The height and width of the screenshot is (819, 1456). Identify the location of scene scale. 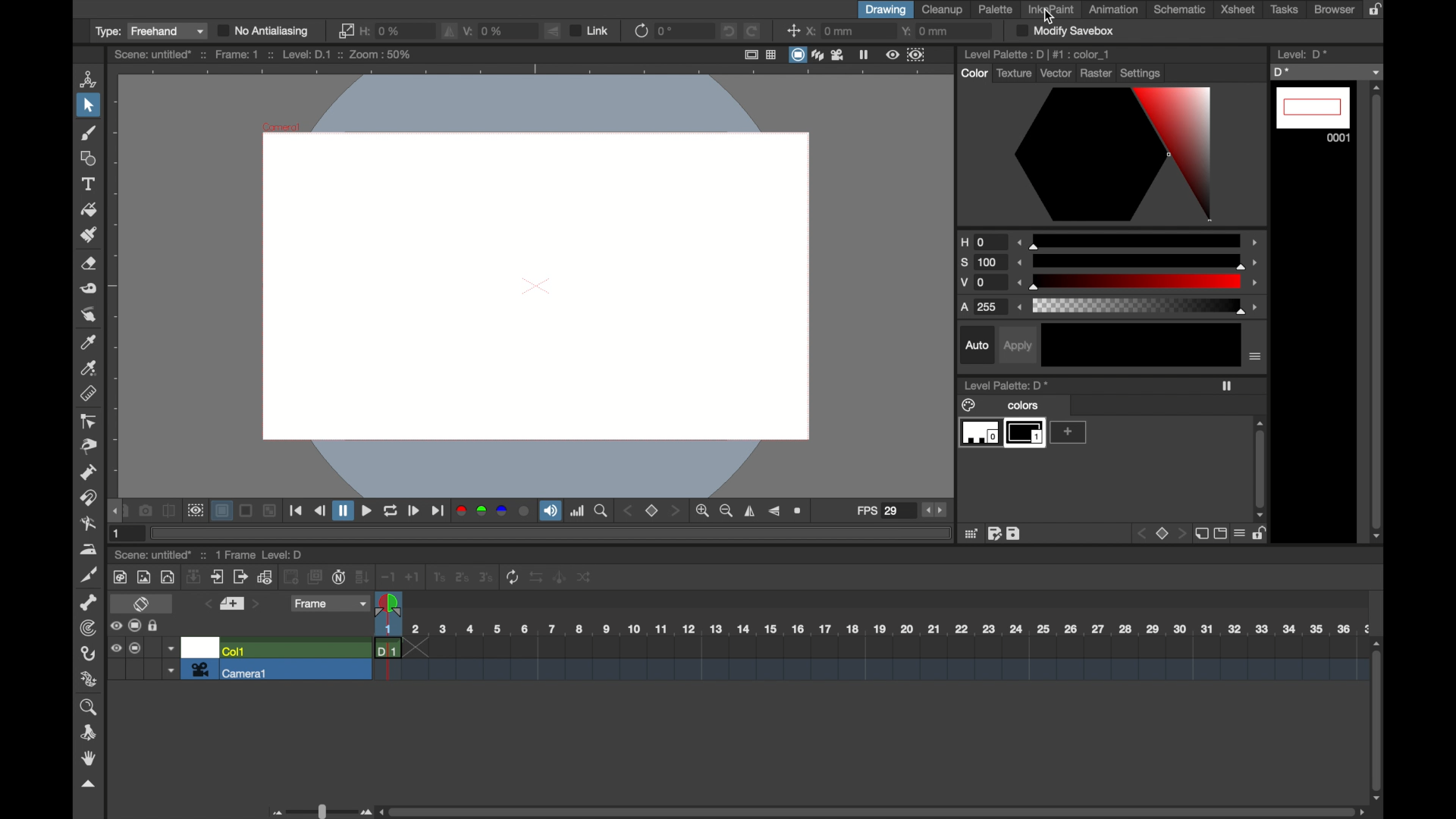
(870, 629).